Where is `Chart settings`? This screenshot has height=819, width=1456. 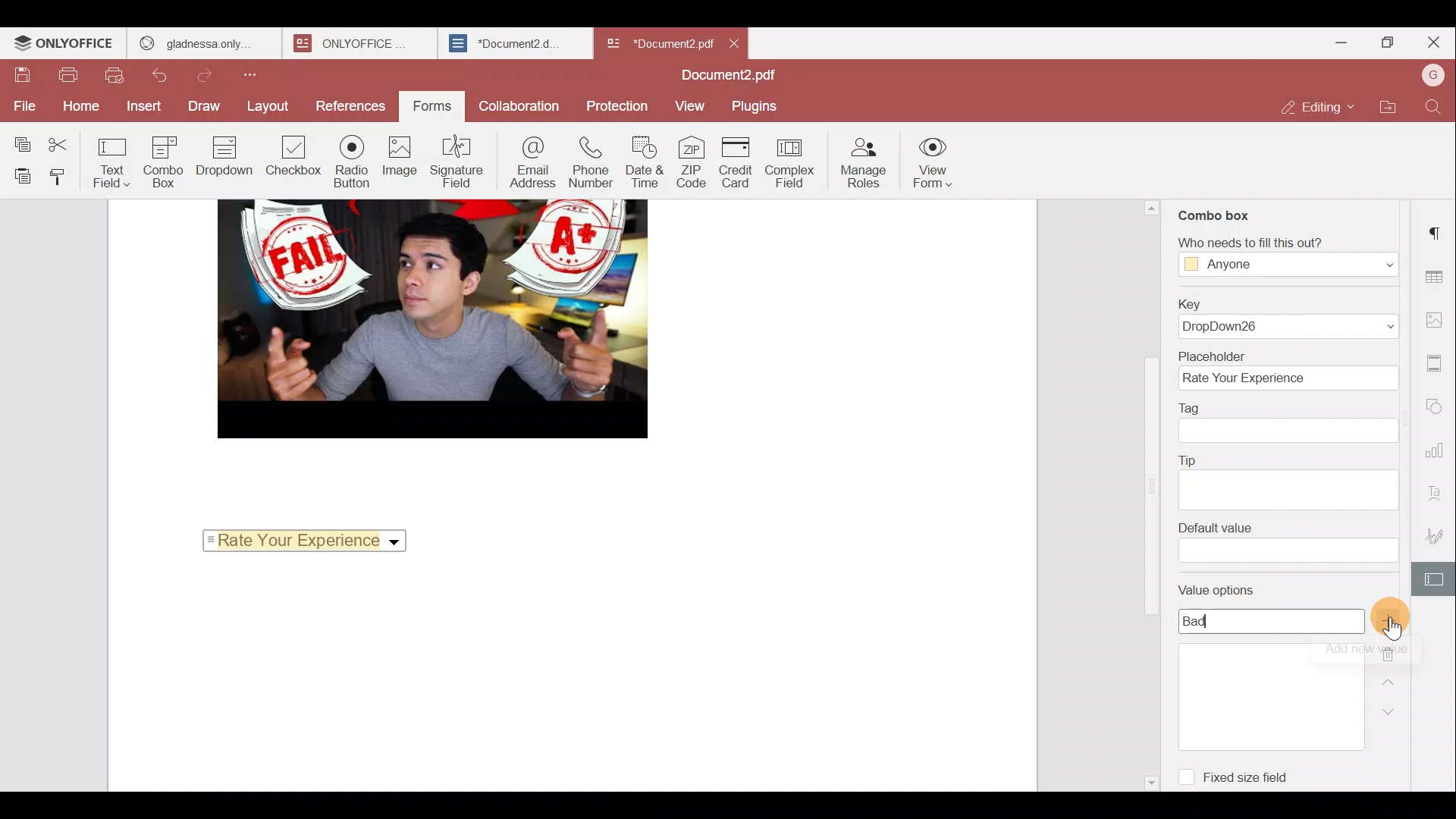 Chart settings is located at coordinates (1439, 452).